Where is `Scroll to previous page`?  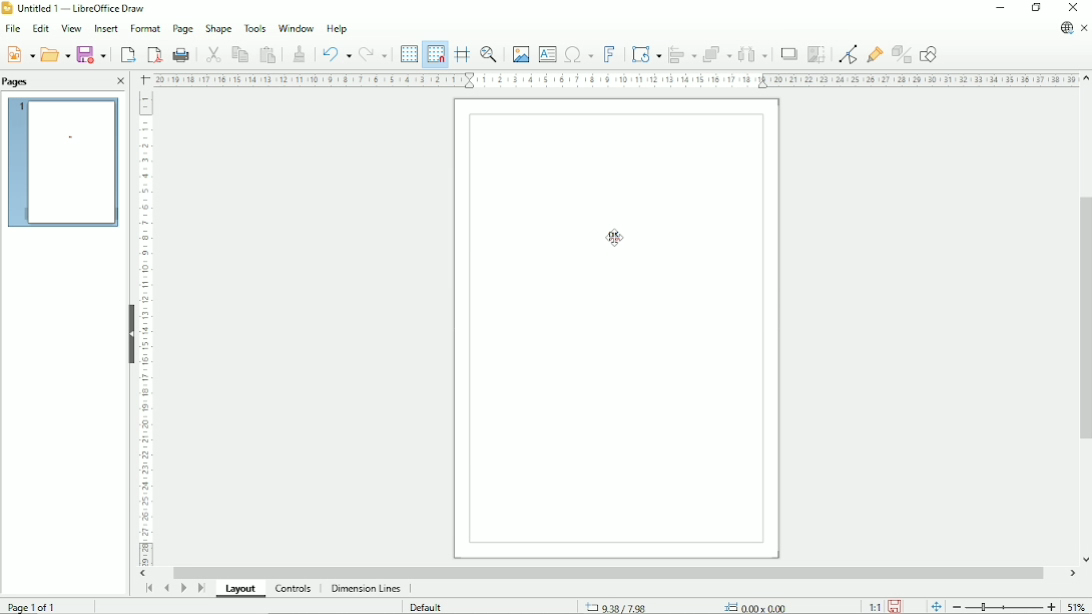
Scroll to previous page is located at coordinates (166, 588).